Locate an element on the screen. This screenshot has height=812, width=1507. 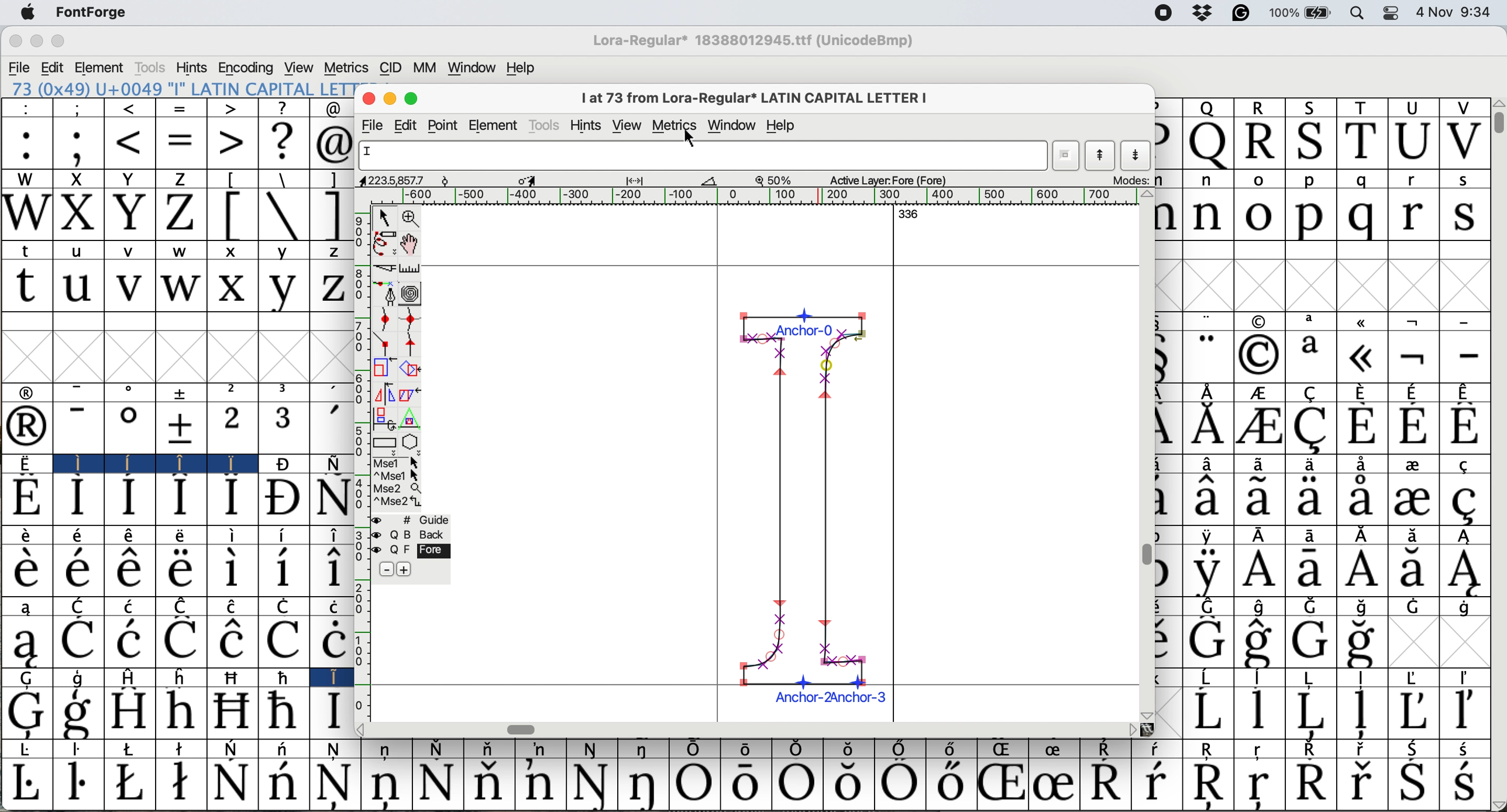
Symbol is located at coordinates (1471, 463).